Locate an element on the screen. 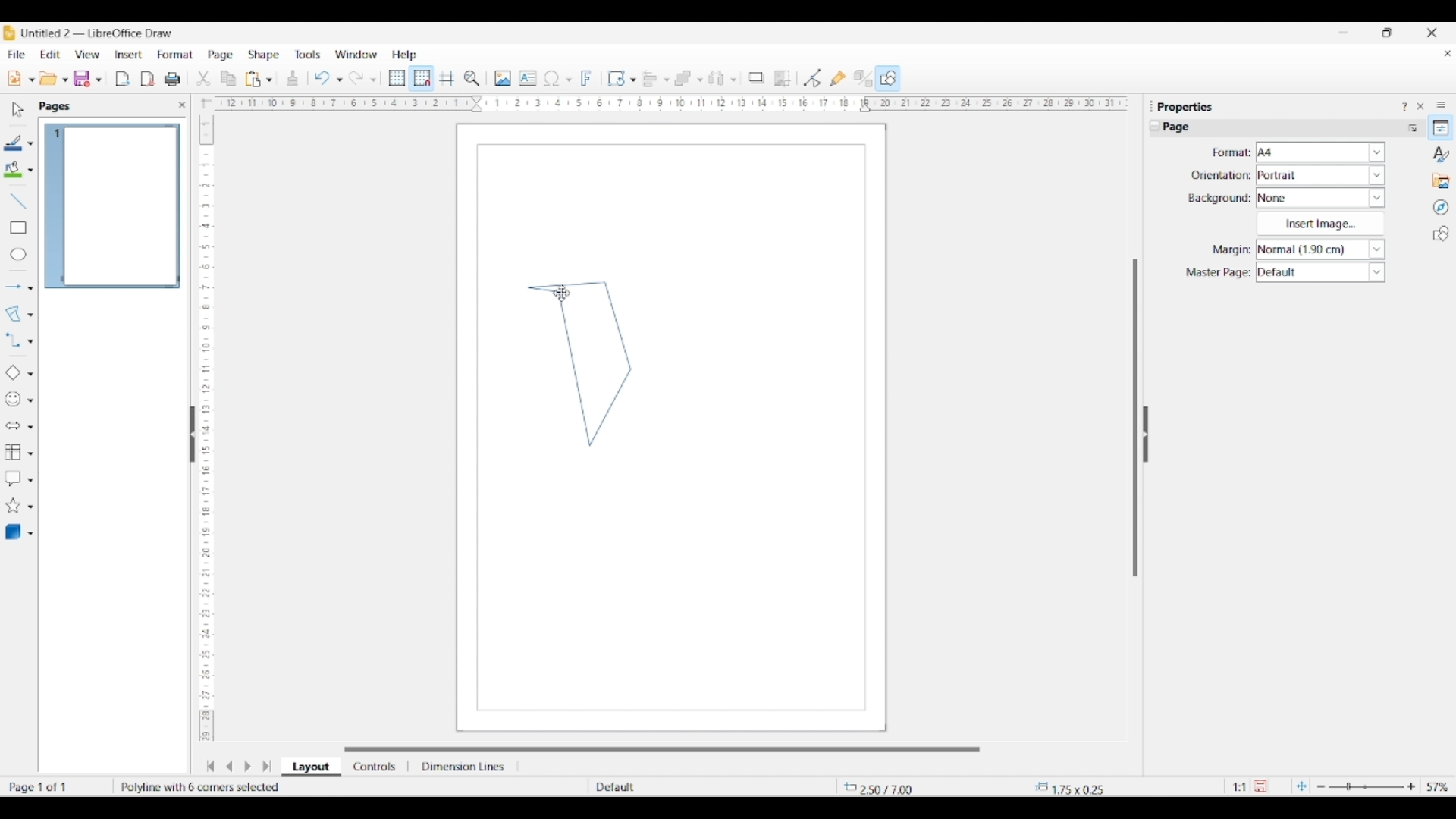  Navigator is located at coordinates (1441, 208).